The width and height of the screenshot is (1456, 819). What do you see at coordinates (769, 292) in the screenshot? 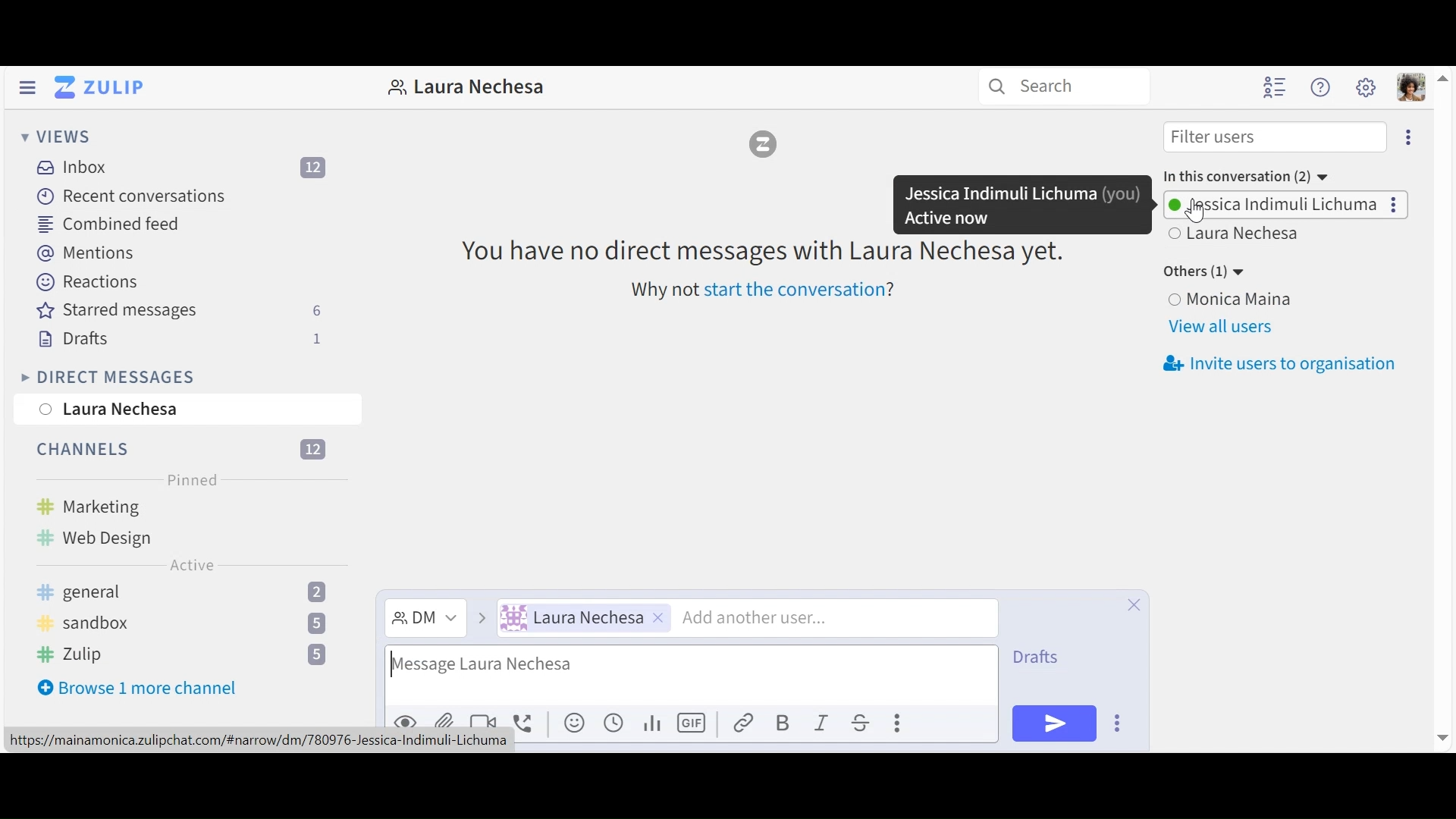
I see `why not start the conversation` at bounding box center [769, 292].